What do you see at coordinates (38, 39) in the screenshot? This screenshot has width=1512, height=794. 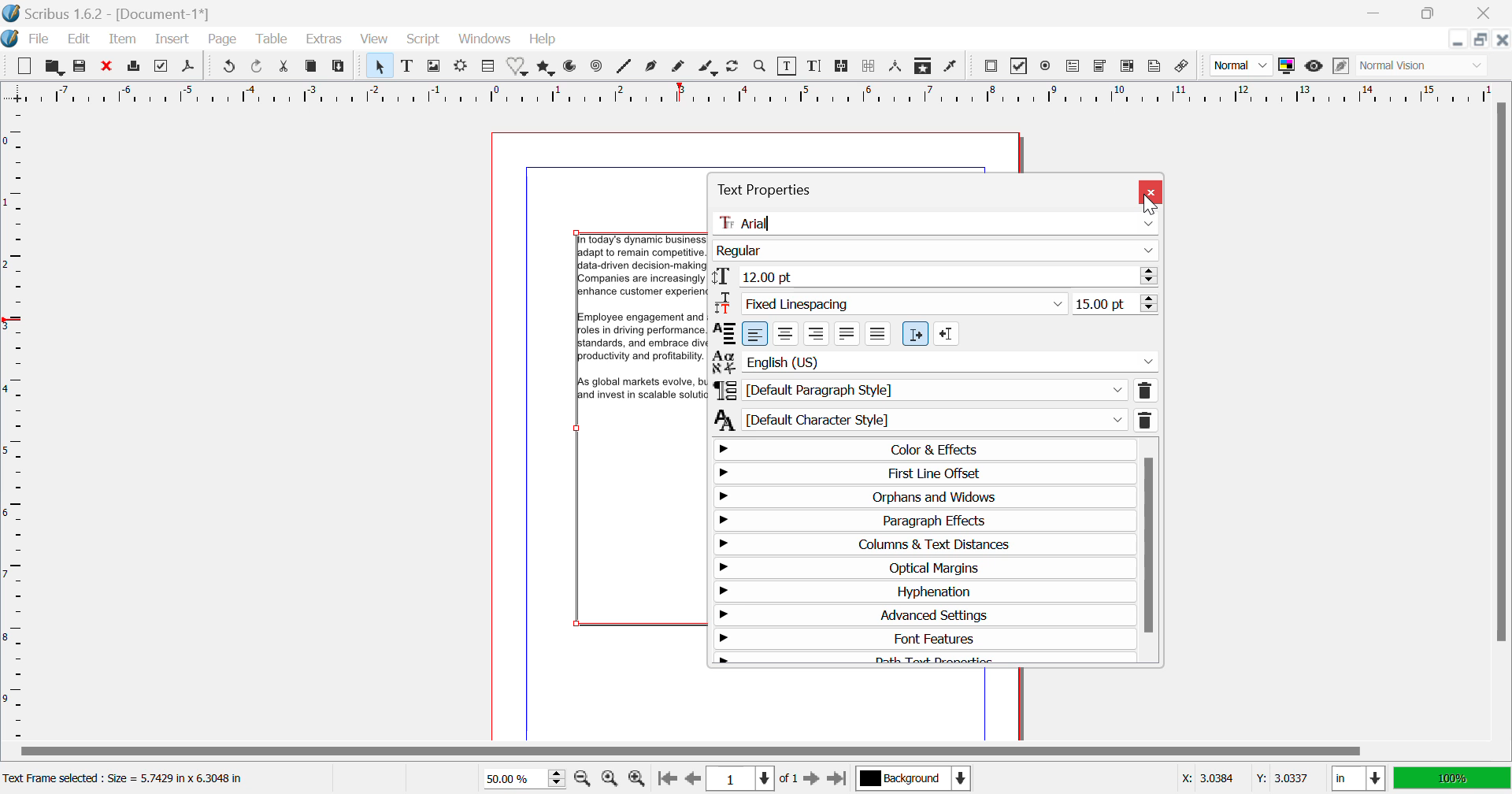 I see `File` at bounding box center [38, 39].